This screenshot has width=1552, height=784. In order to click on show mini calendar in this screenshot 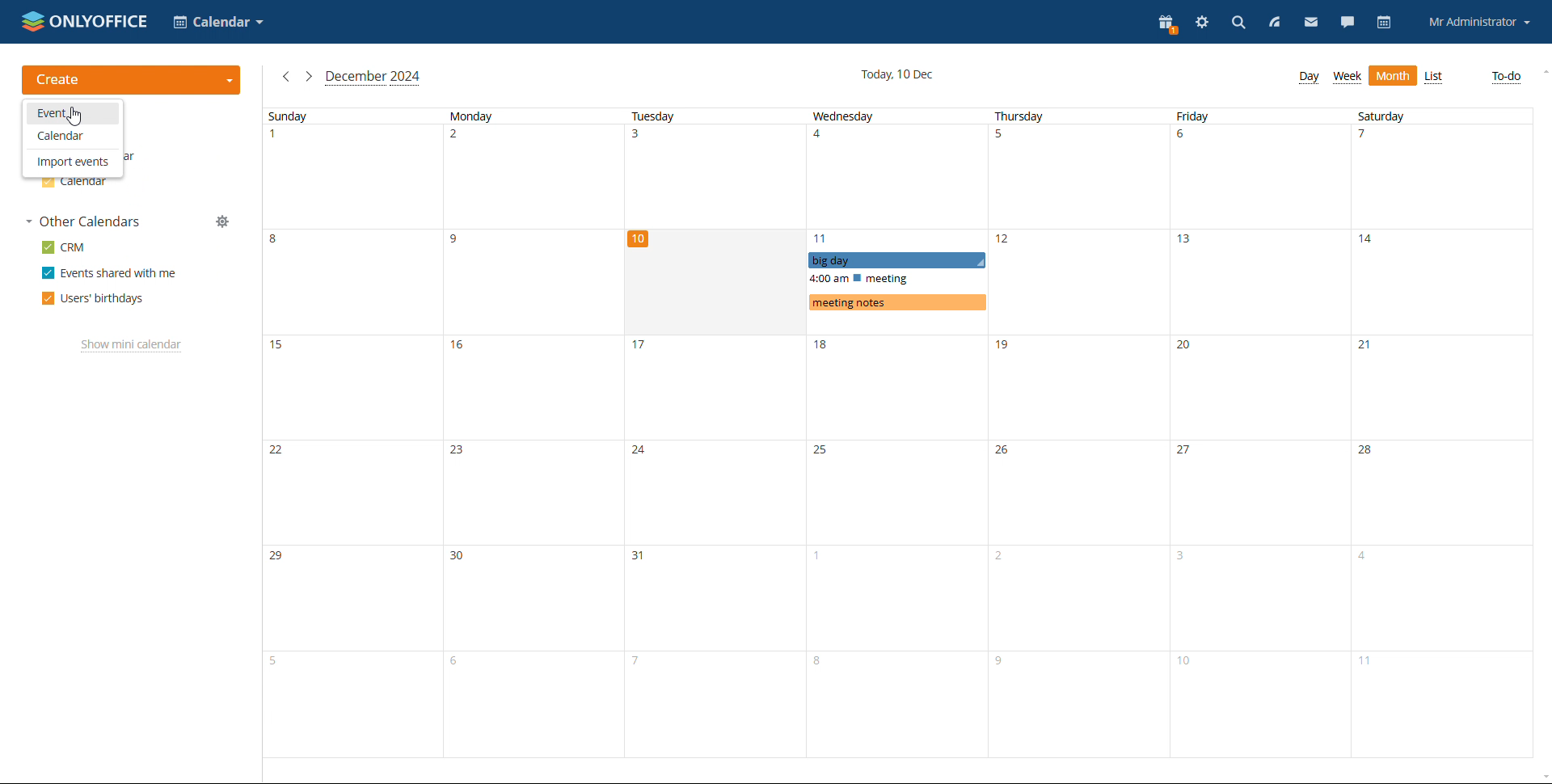, I will do `click(132, 347)`.